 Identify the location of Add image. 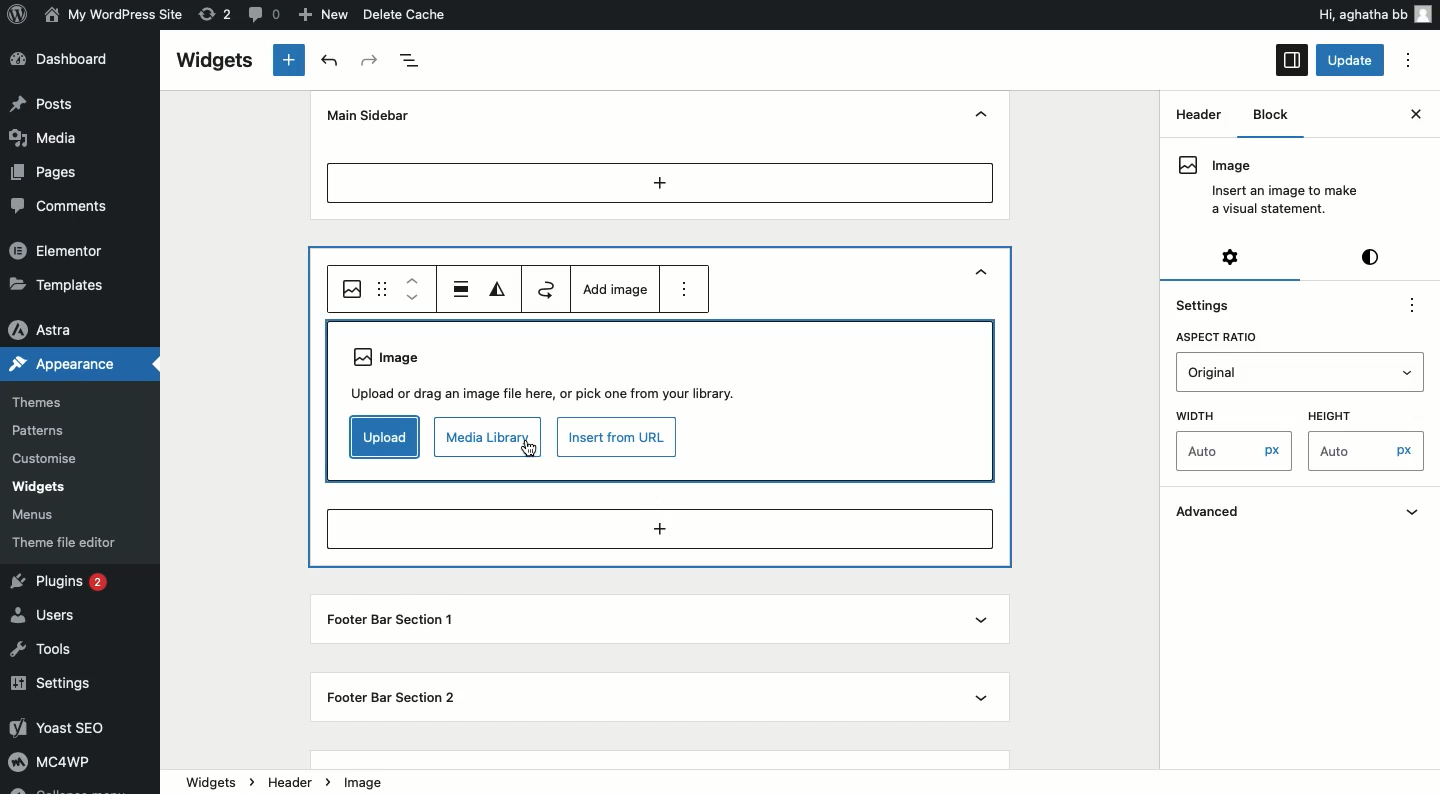
(613, 289).